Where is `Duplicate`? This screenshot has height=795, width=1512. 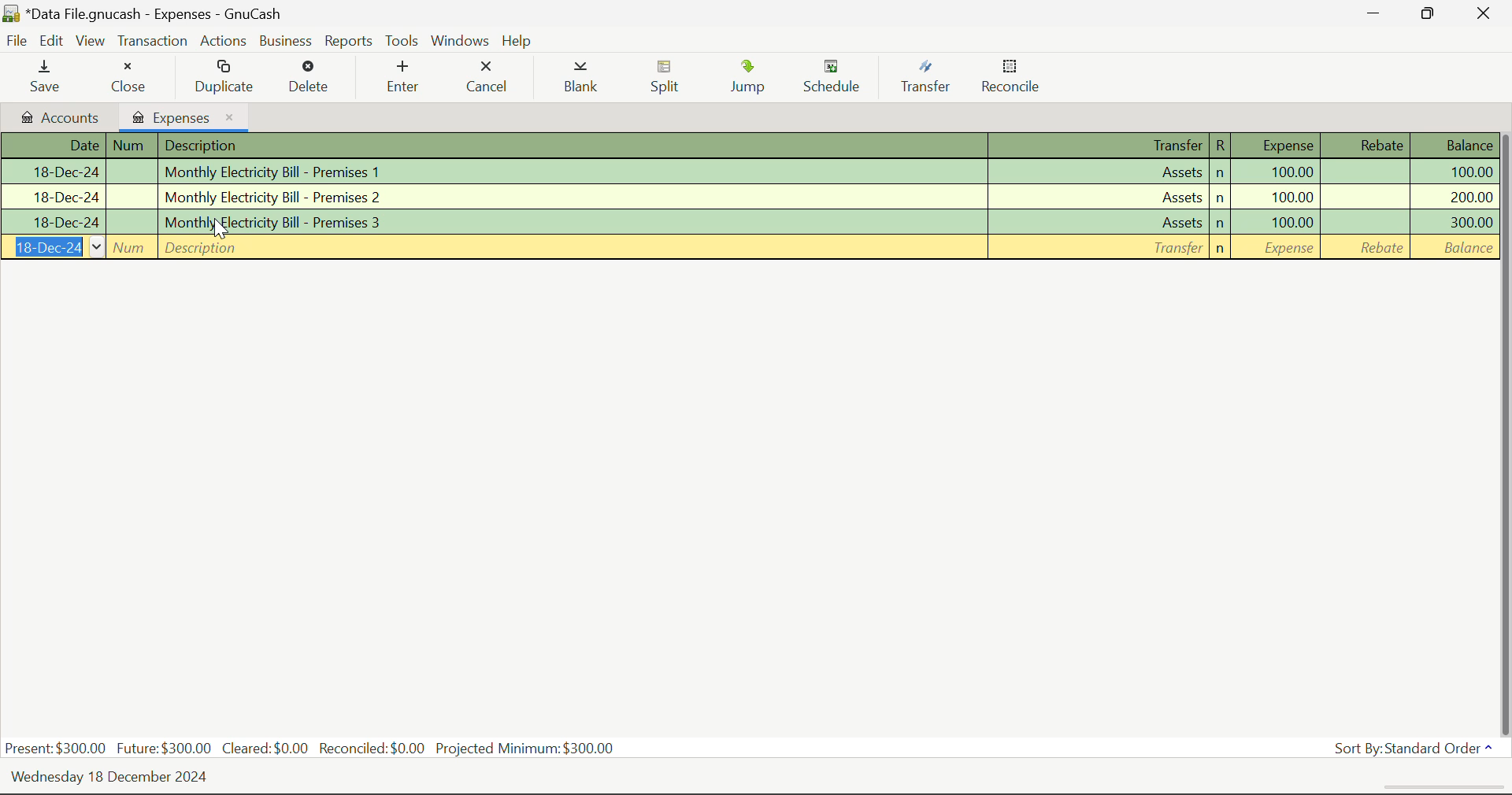 Duplicate is located at coordinates (225, 78).